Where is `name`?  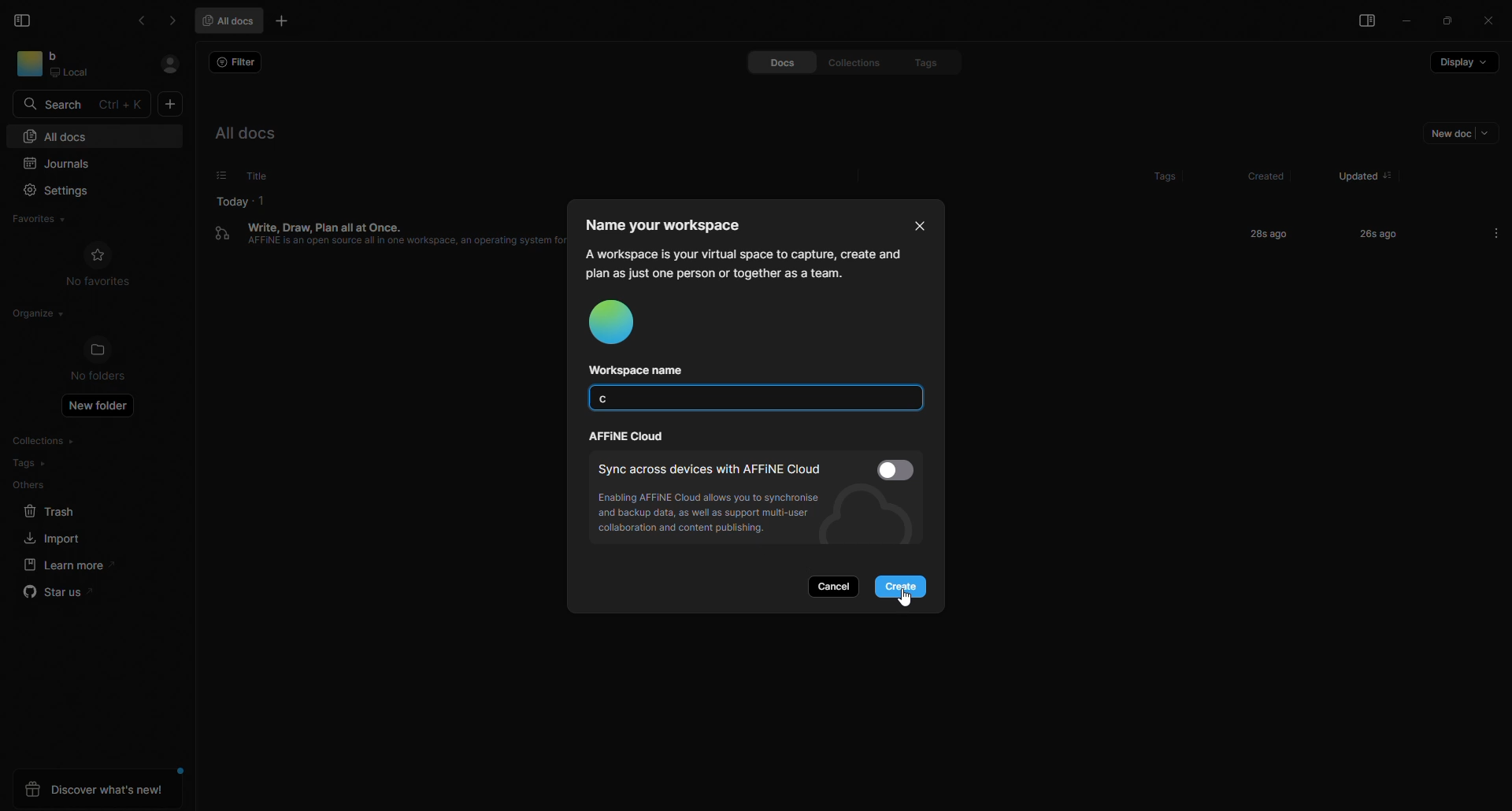 name is located at coordinates (673, 224).